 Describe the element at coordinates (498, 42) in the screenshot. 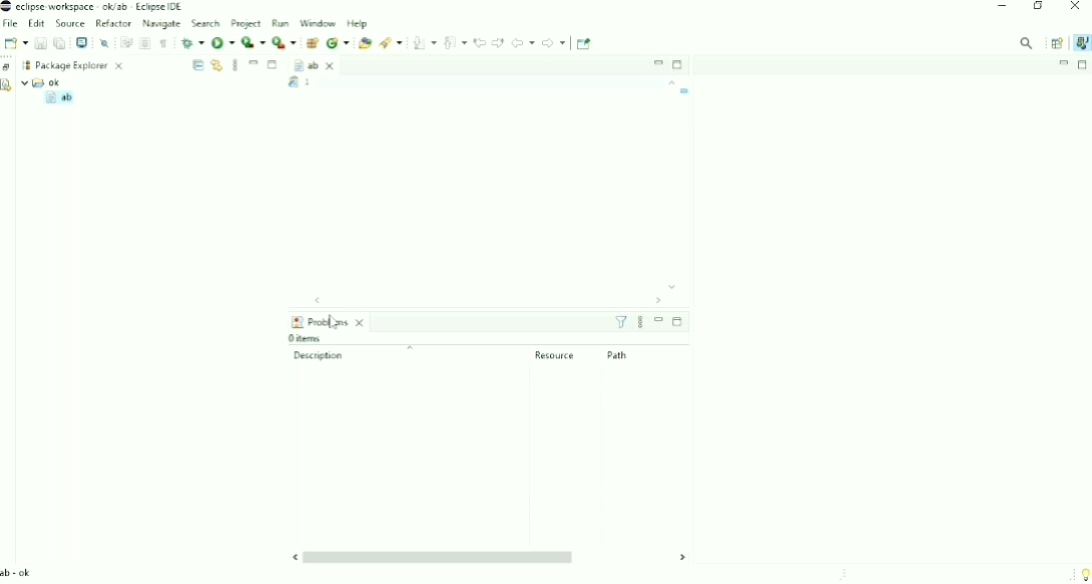

I see `Next Edit Location` at that location.